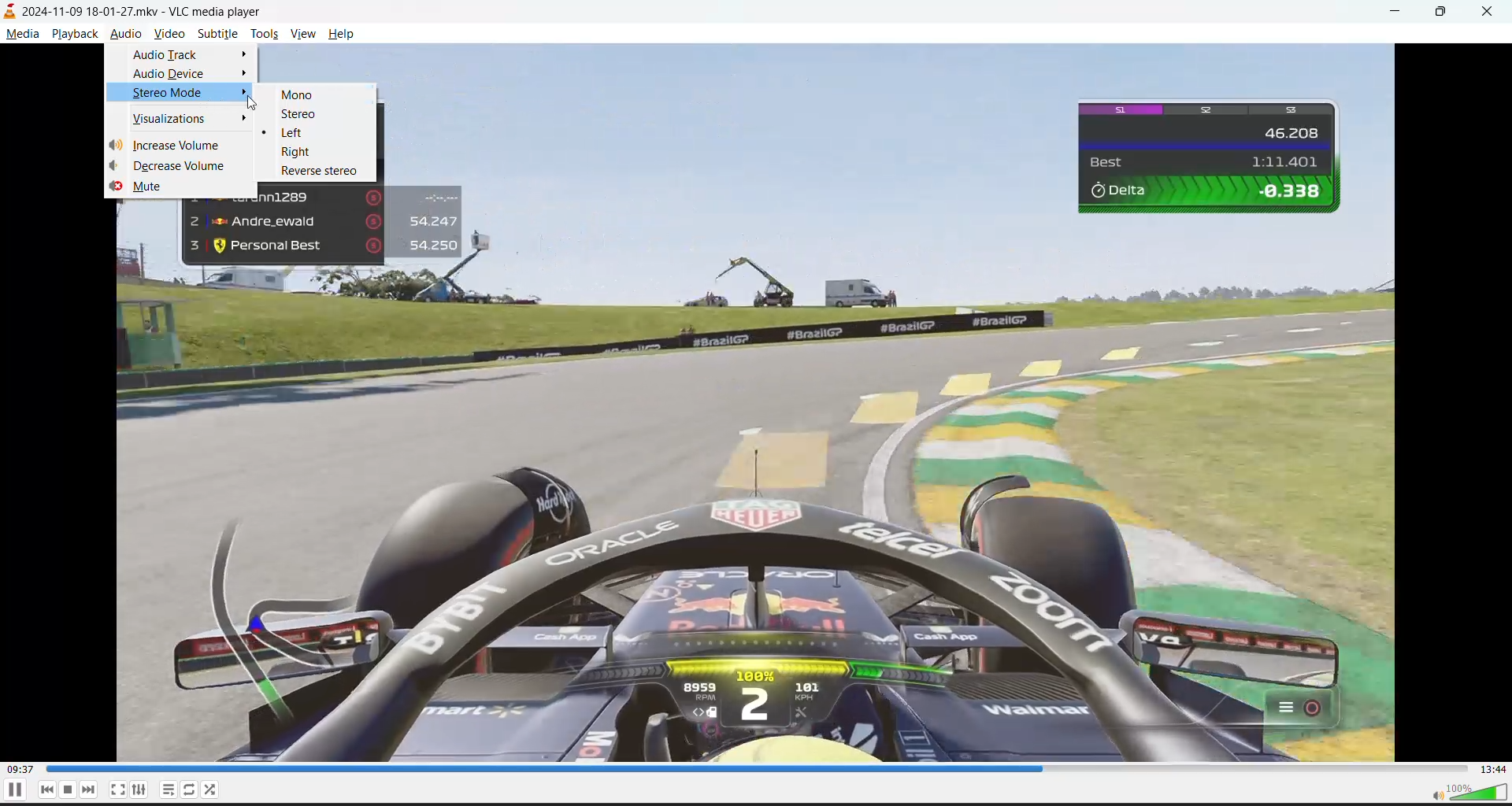 The width and height of the screenshot is (1512, 806). Describe the element at coordinates (126, 36) in the screenshot. I see `audio` at that location.